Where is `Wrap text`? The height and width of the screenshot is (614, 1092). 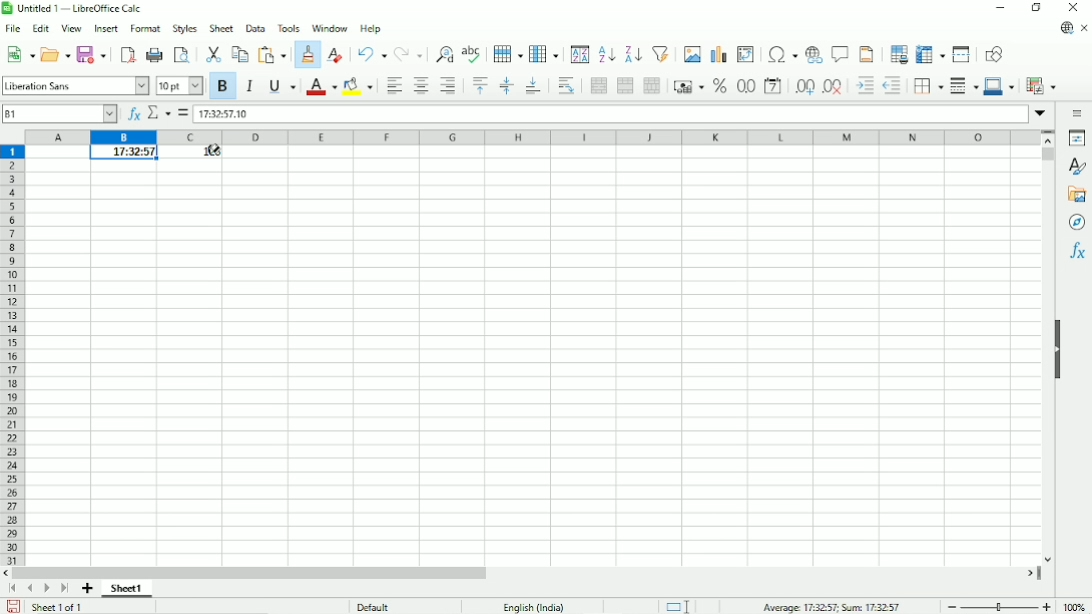 Wrap text is located at coordinates (566, 86).